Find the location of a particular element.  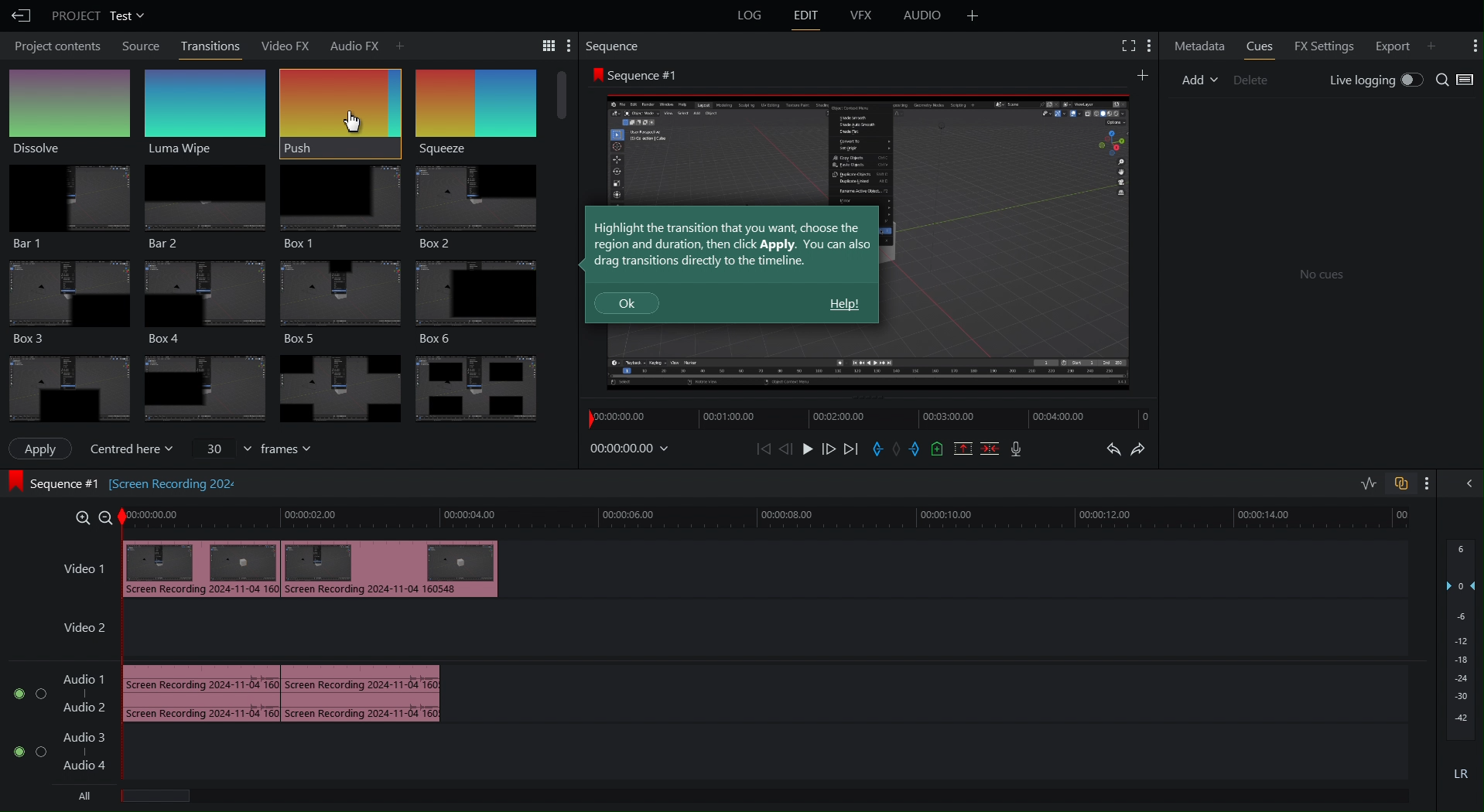

Collapse is located at coordinates (1467, 483).